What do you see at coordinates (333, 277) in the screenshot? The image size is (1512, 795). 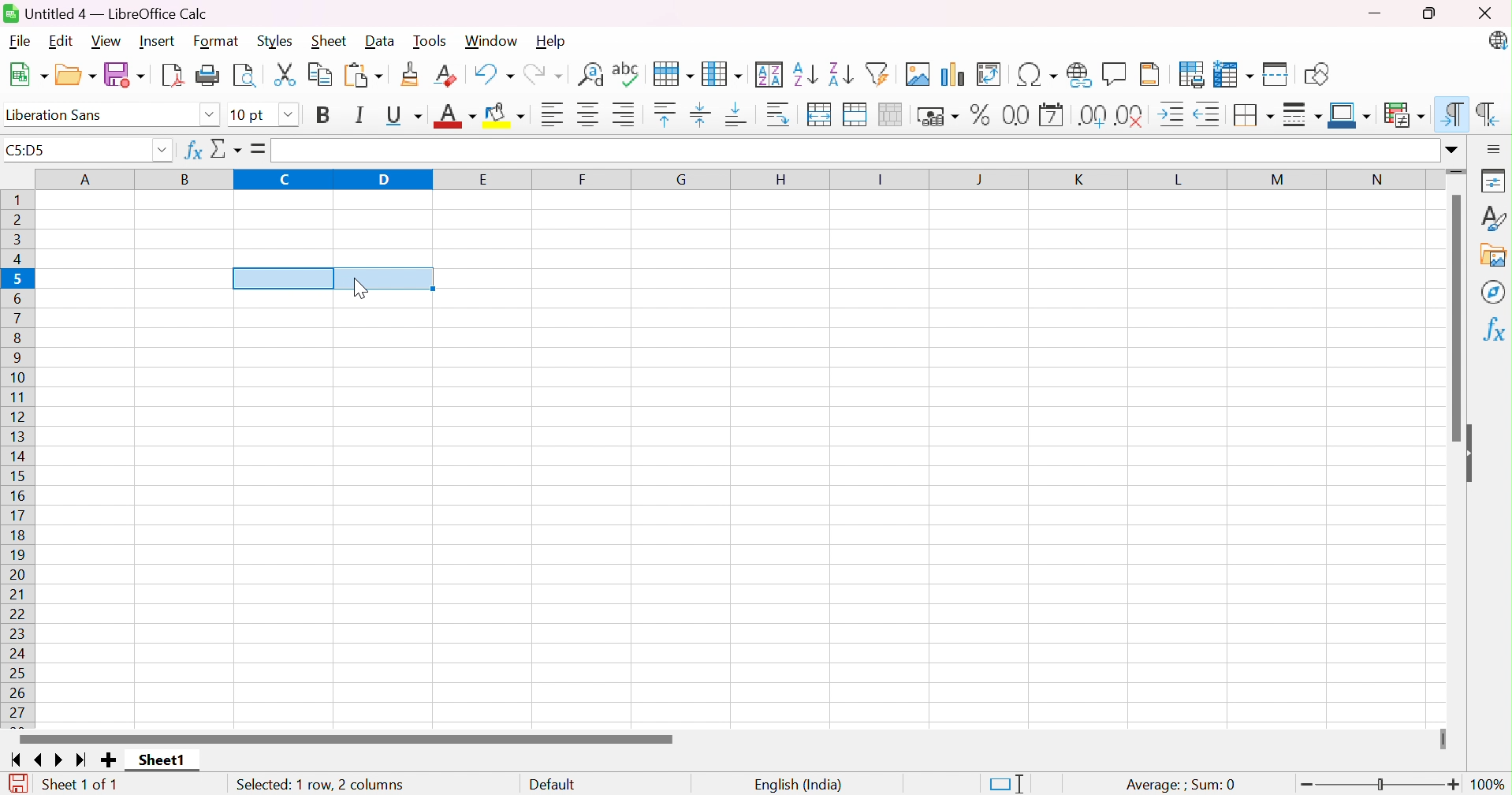 I see `cells selected` at bounding box center [333, 277].